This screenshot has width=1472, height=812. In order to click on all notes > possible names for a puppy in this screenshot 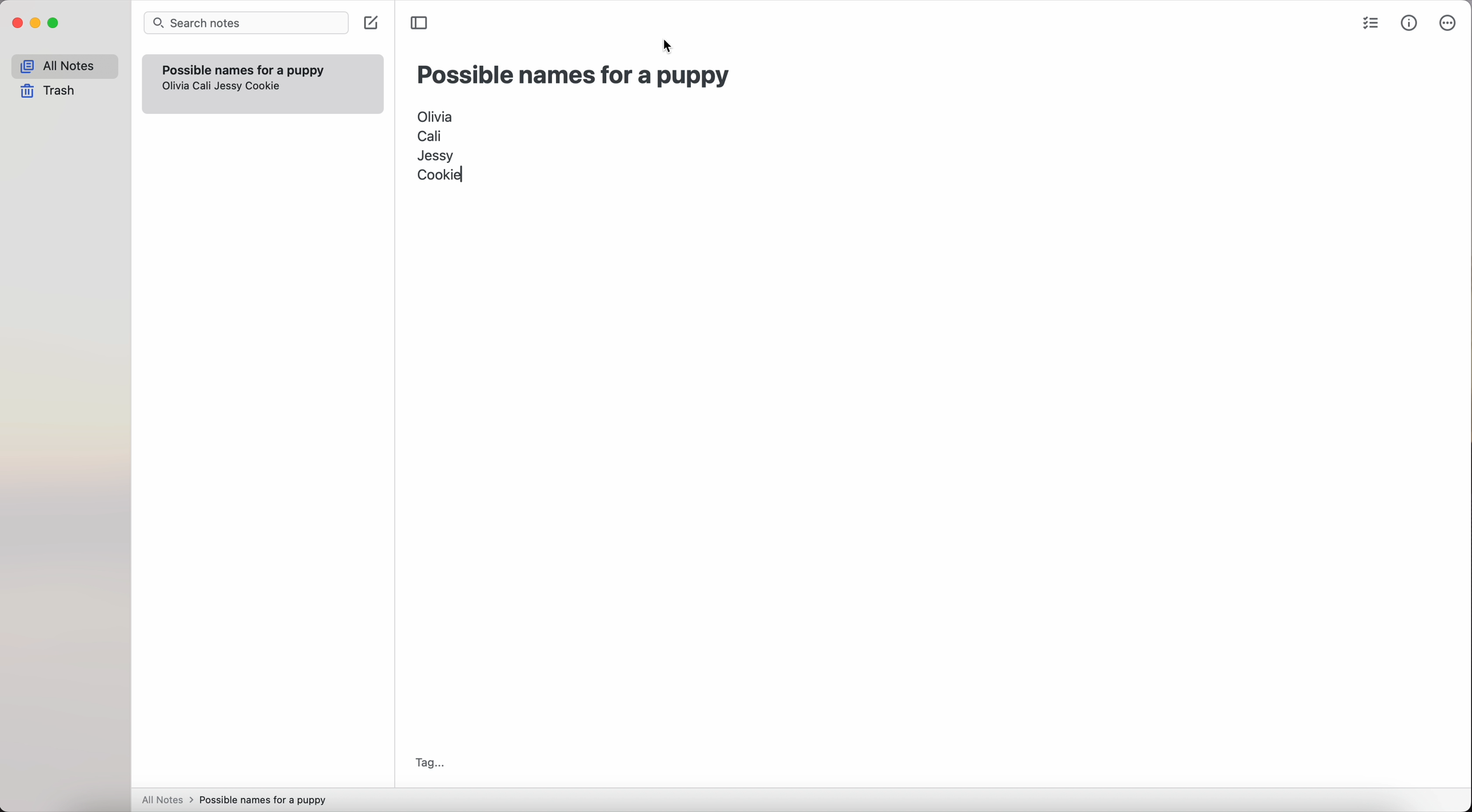, I will do `click(238, 799)`.